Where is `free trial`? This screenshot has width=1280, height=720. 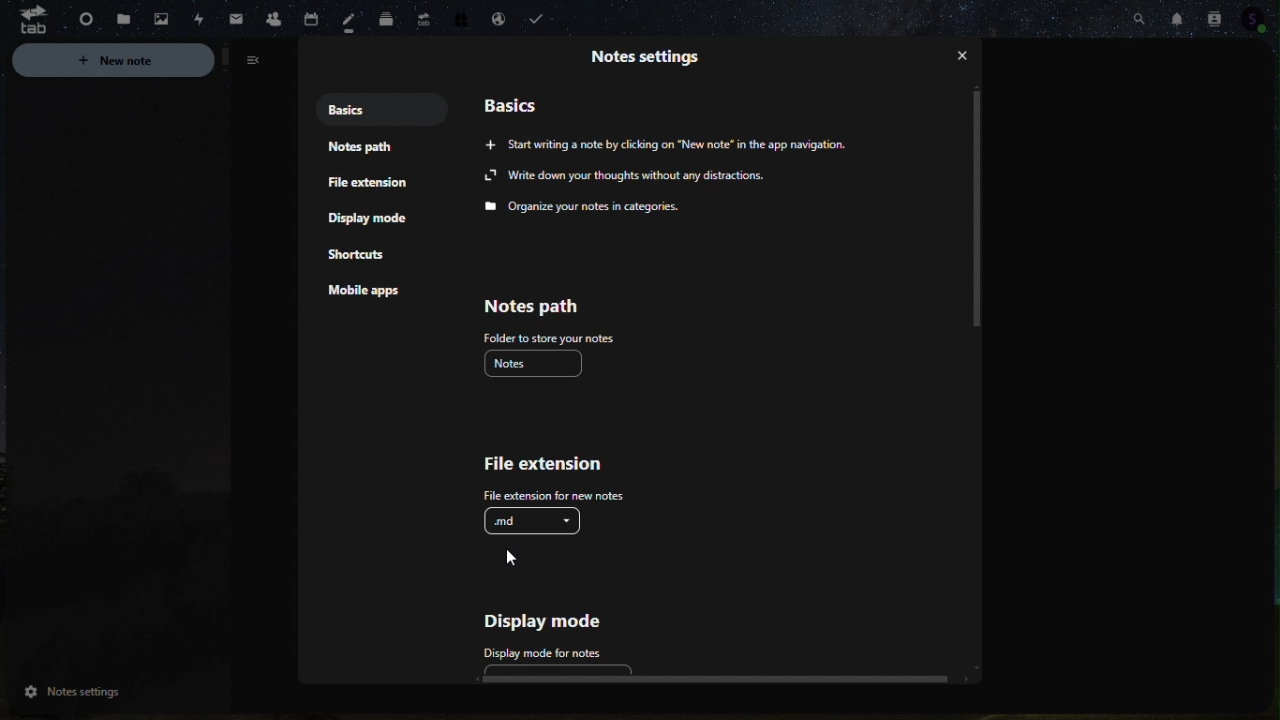 free trial is located at coordinates (456, 22).